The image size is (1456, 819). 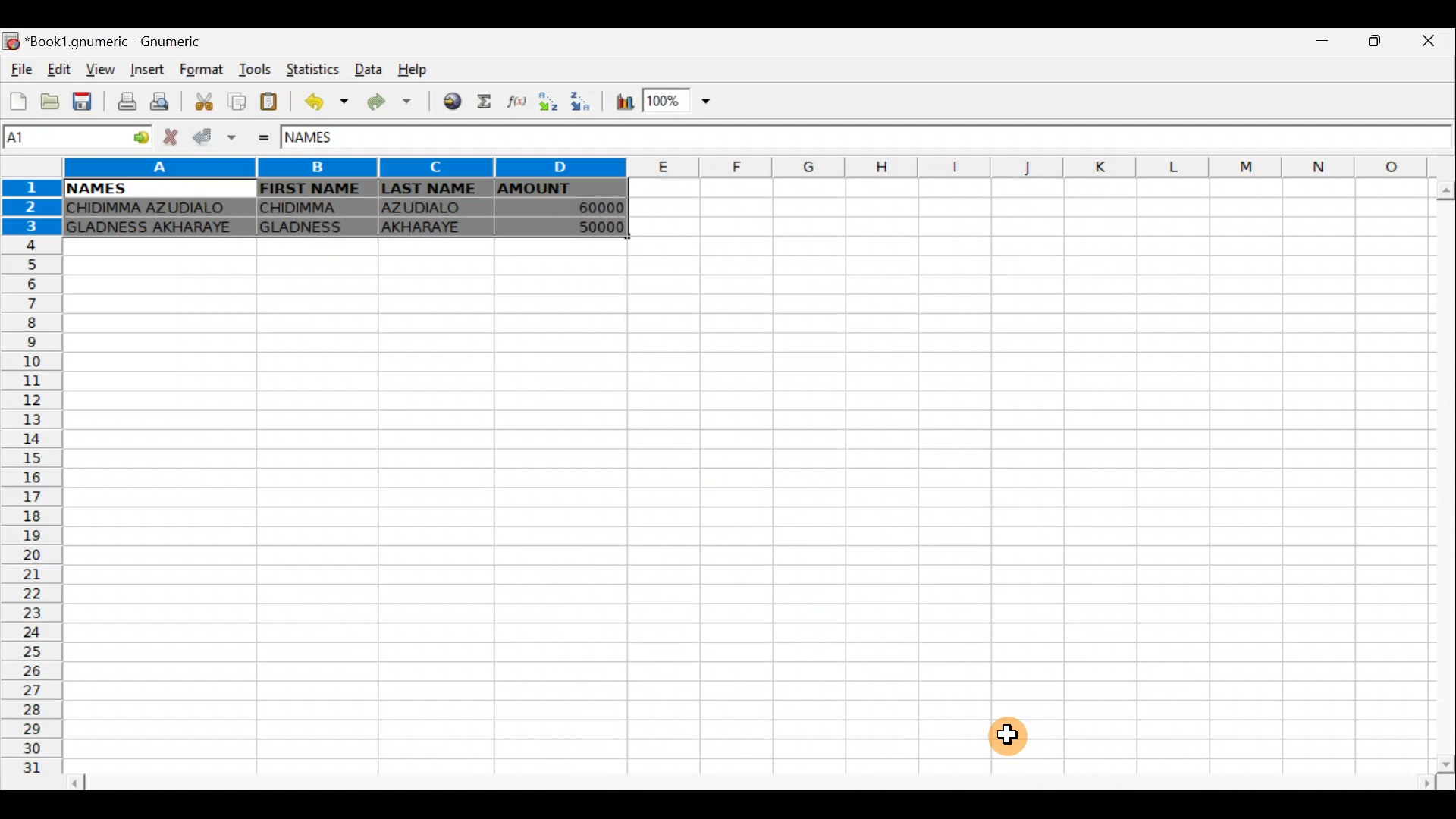 I want to click on Sort Descending order, so click(x=579, y=101).